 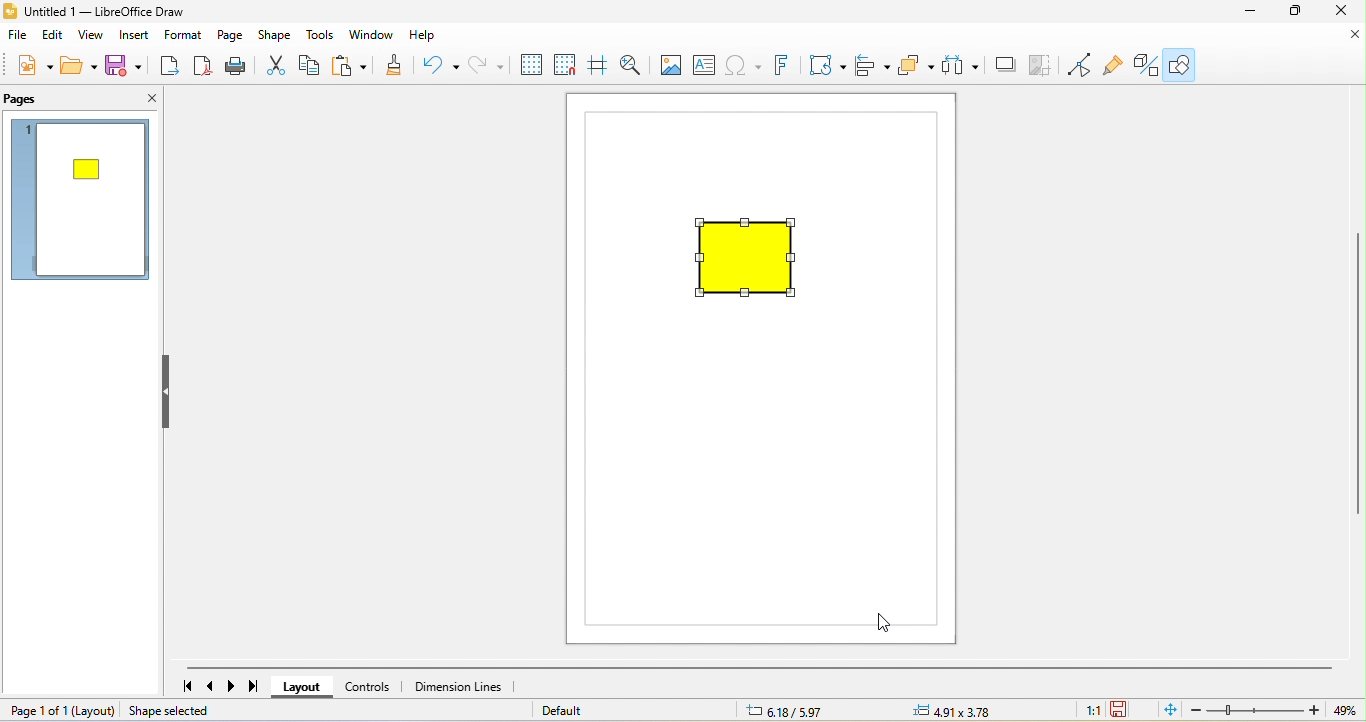 I want to click on fit page to current window, so click(x=1167, y=711).